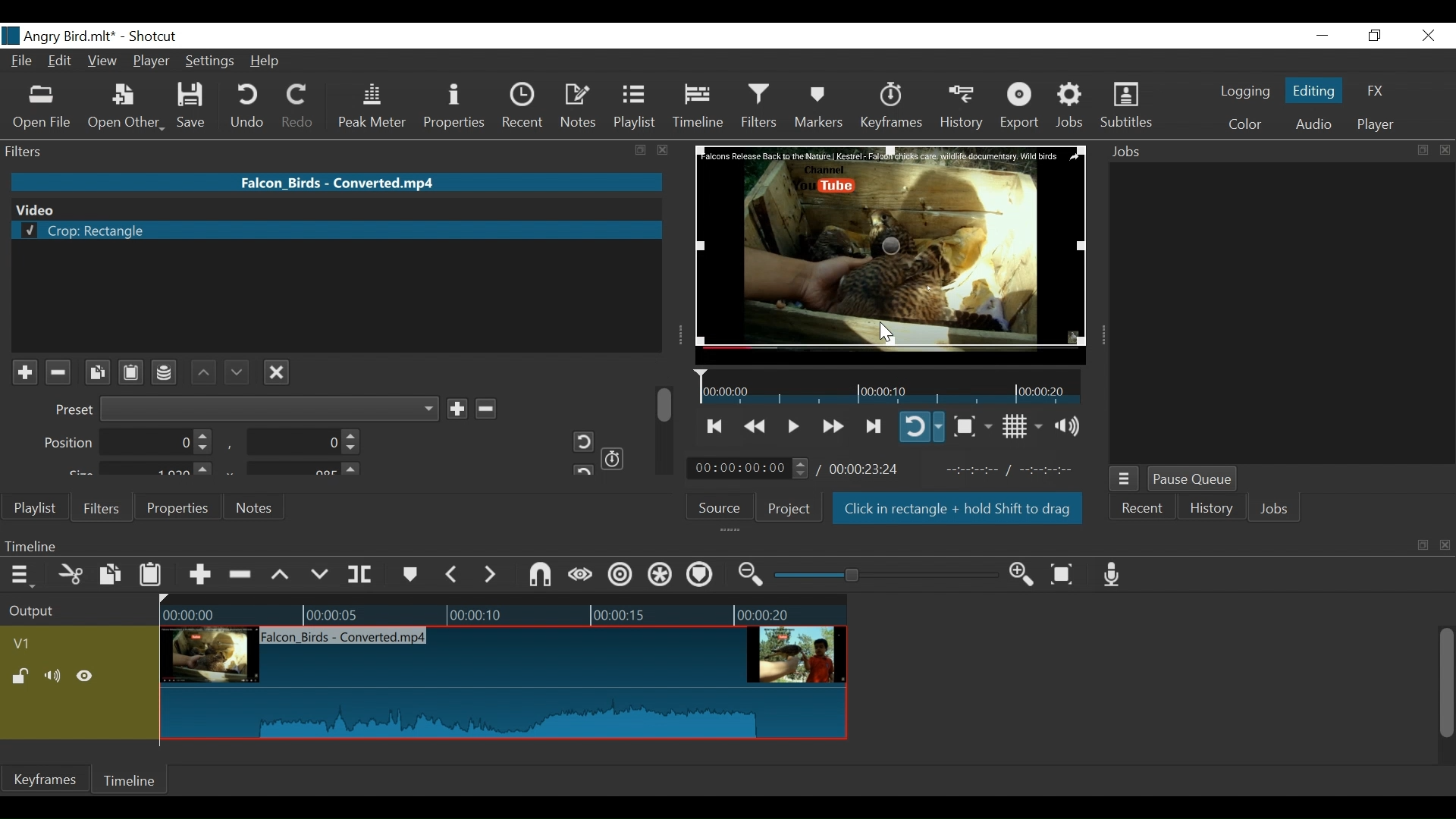 This screenshot has height=819, width=1456. What do you see at coordinates (874, 427) in the screenshot?
I see `Skip to the next point` at bounding box center [874, 427].